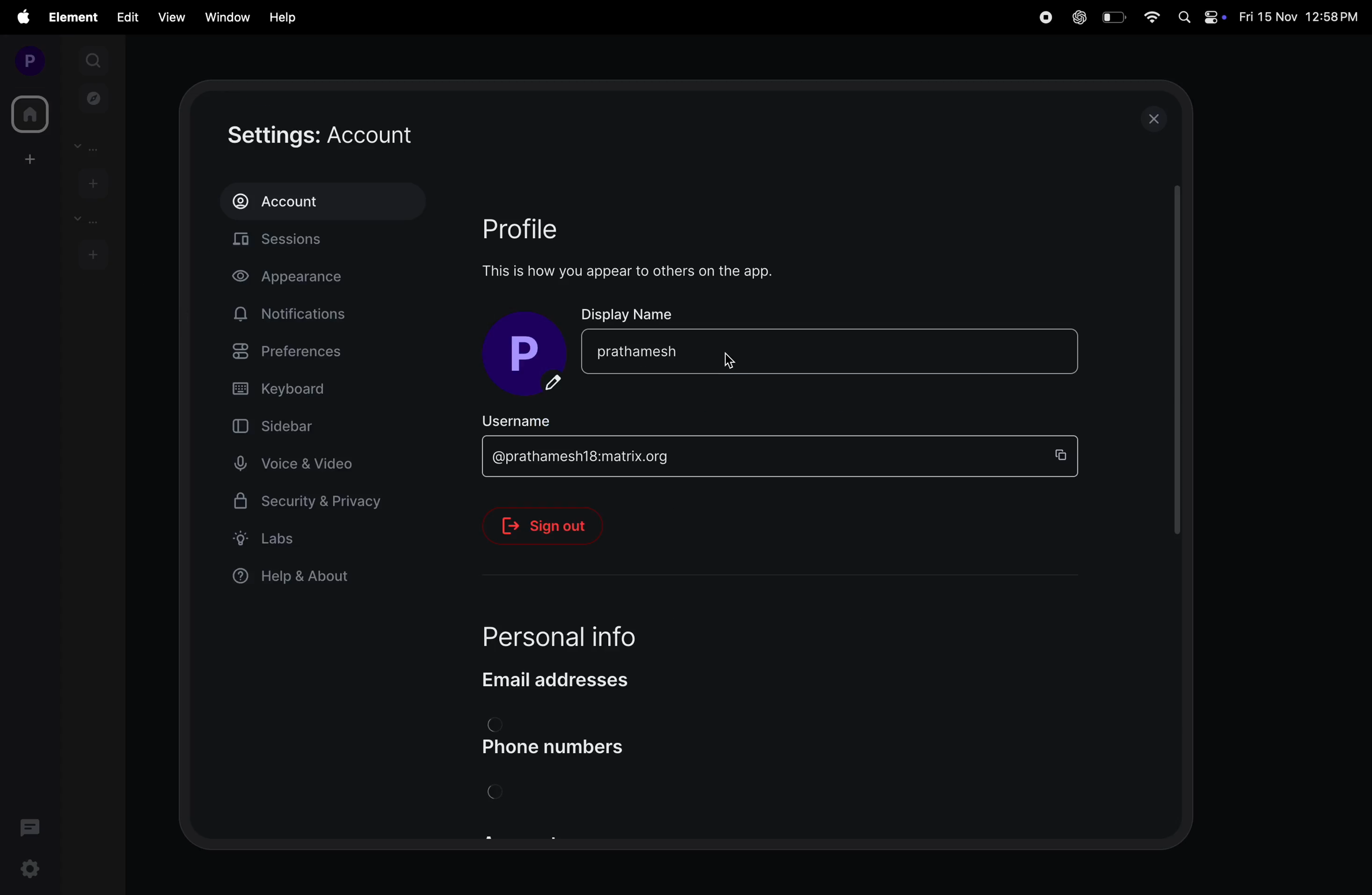 This screenshot has width=1372, height=895. What do you see at coordinates (537, 227) in the screenshot?
I see `profle` at bounding box center [537, 227].